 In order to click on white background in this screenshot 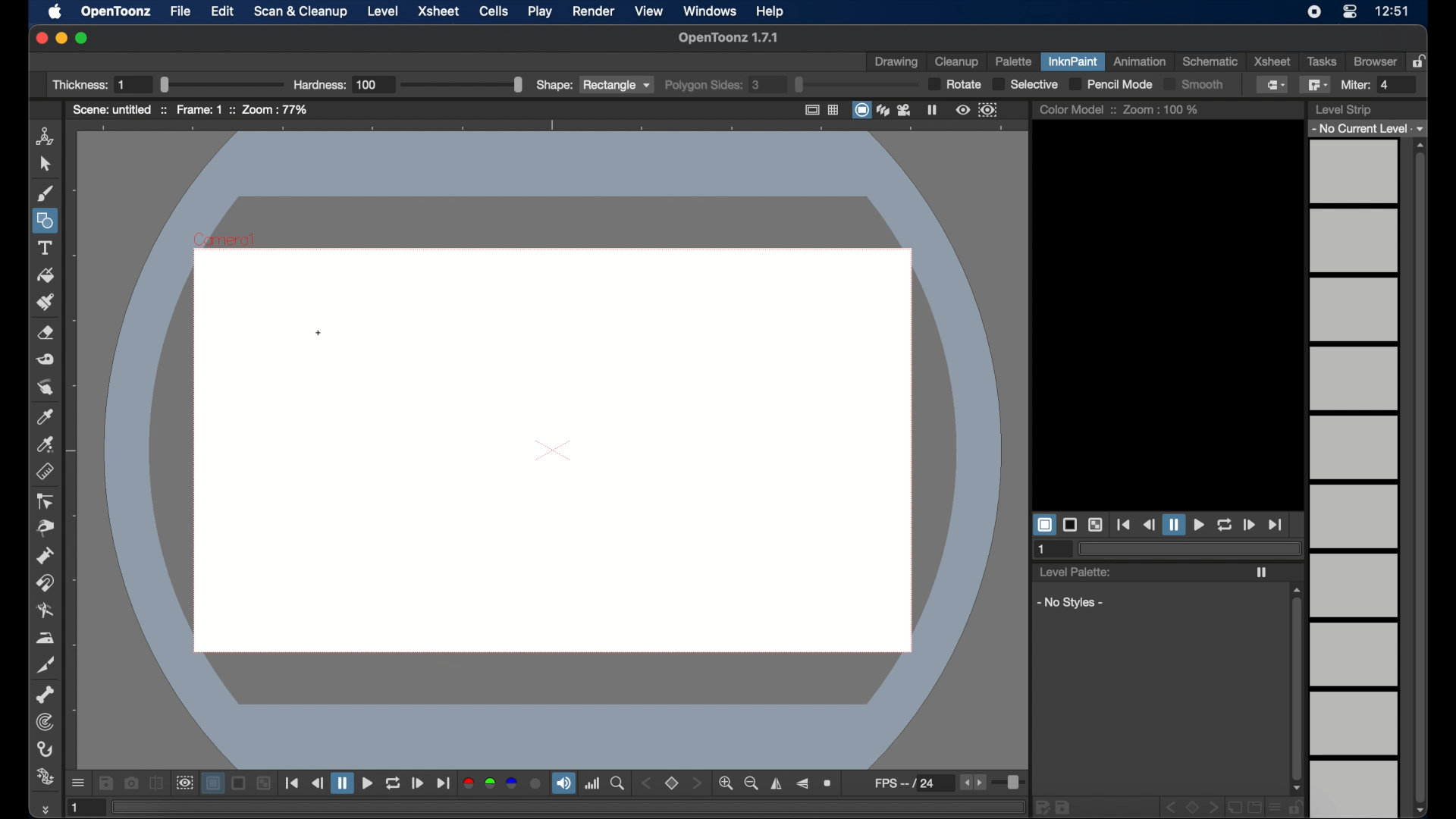, I will do `click(212, 783)`.